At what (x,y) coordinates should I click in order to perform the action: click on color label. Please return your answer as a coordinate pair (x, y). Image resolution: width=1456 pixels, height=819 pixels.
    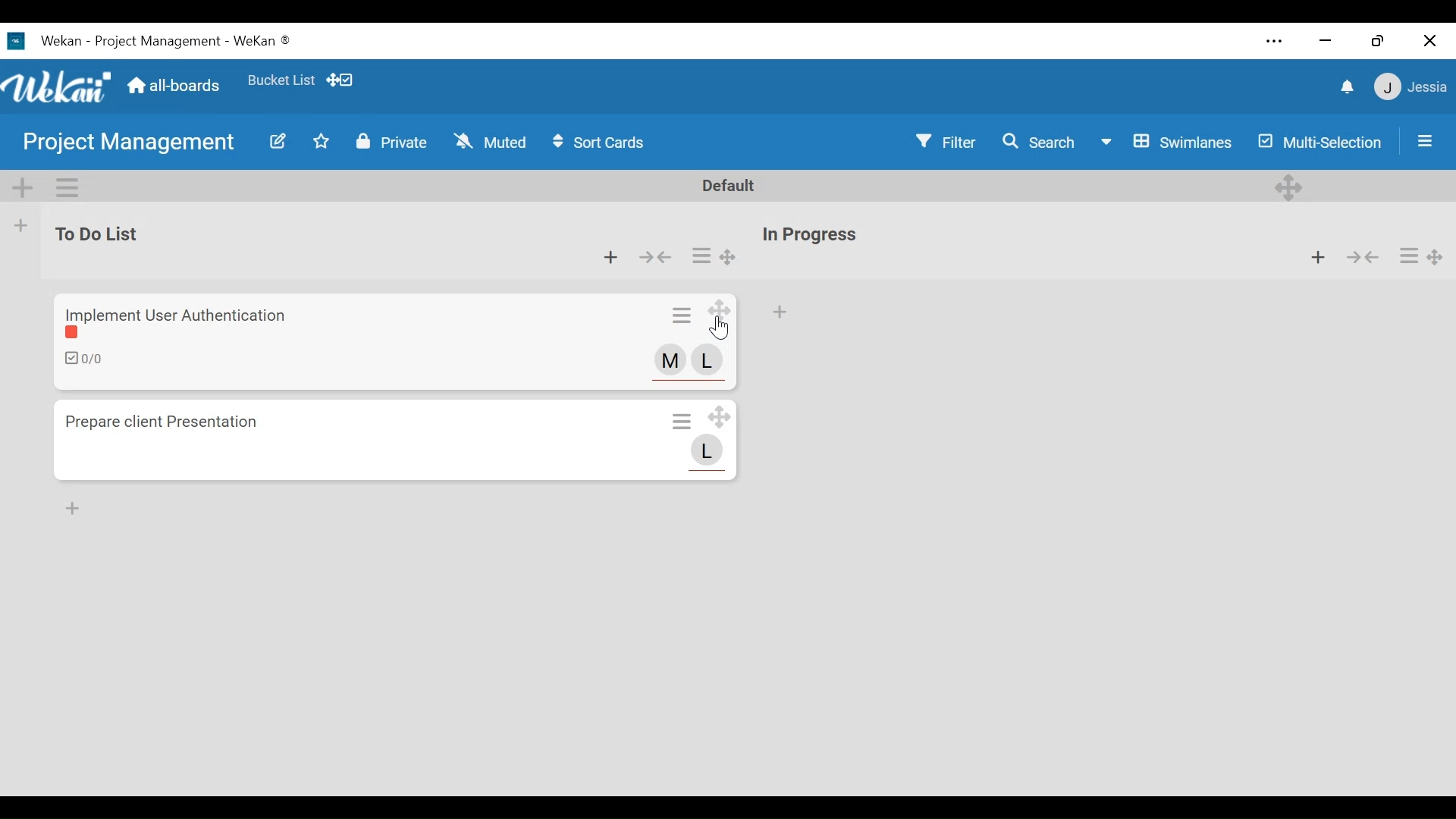
    Looking at the image, I should click on (73, 334).